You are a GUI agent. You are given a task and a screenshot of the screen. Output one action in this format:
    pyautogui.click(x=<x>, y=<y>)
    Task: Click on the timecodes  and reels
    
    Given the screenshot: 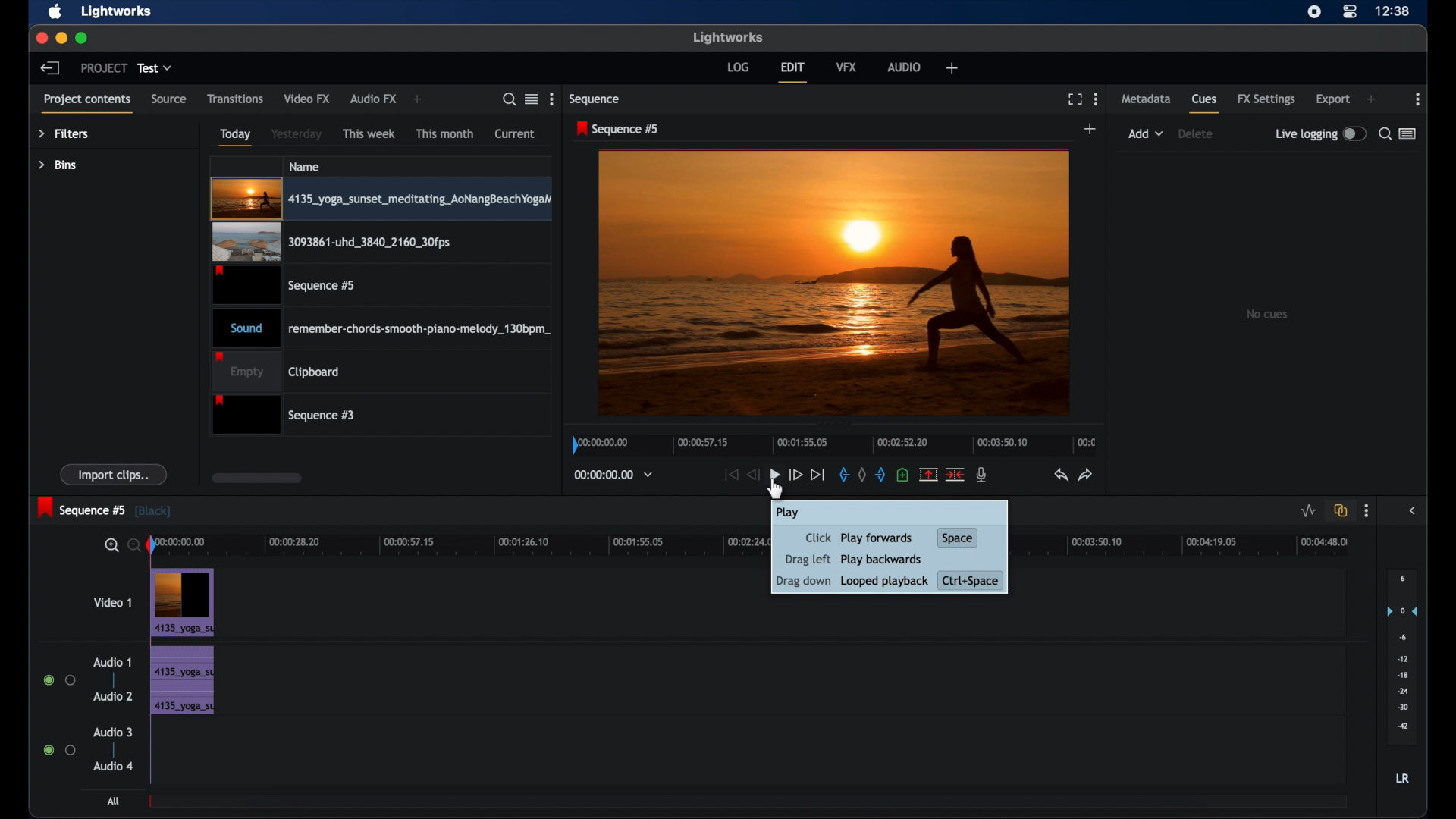 What is the action you would take?
    pyautogui.click(x=614, y=475)
    